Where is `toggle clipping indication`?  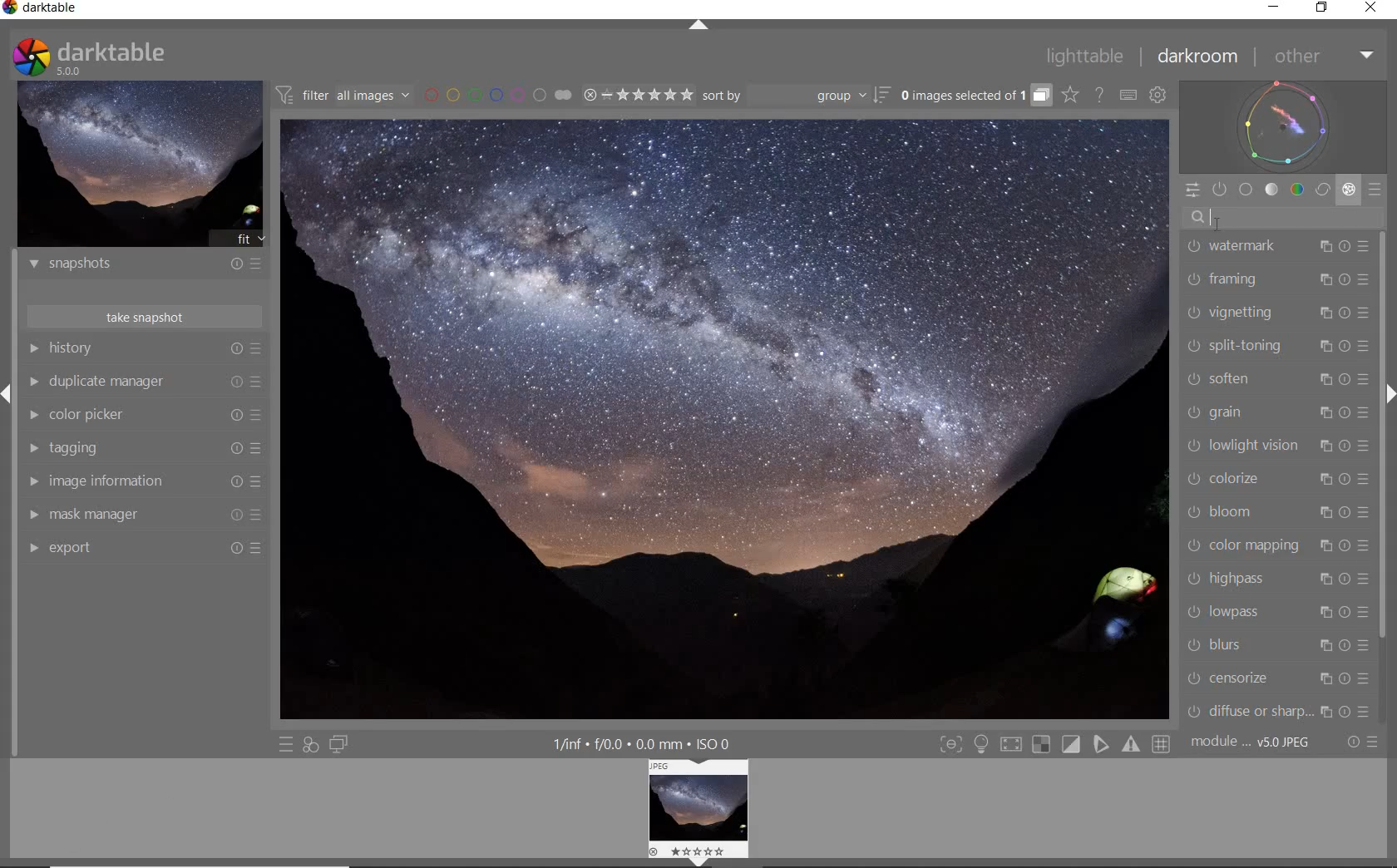 toggle clipping indication is located at coordinates (1074, 747).